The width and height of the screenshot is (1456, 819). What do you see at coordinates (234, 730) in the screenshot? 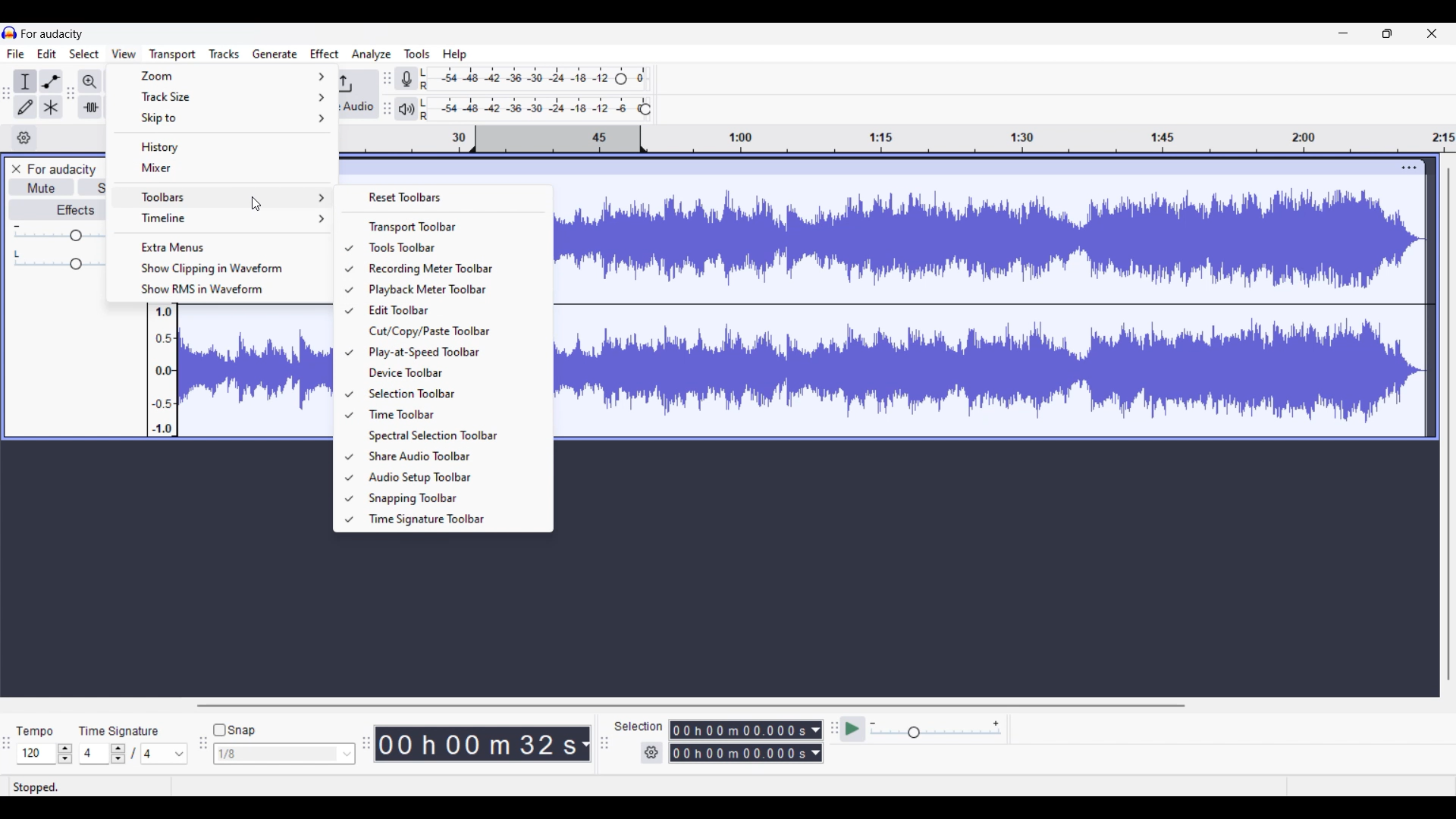
I see `Snap toggle` at bounding box center [234, 730].